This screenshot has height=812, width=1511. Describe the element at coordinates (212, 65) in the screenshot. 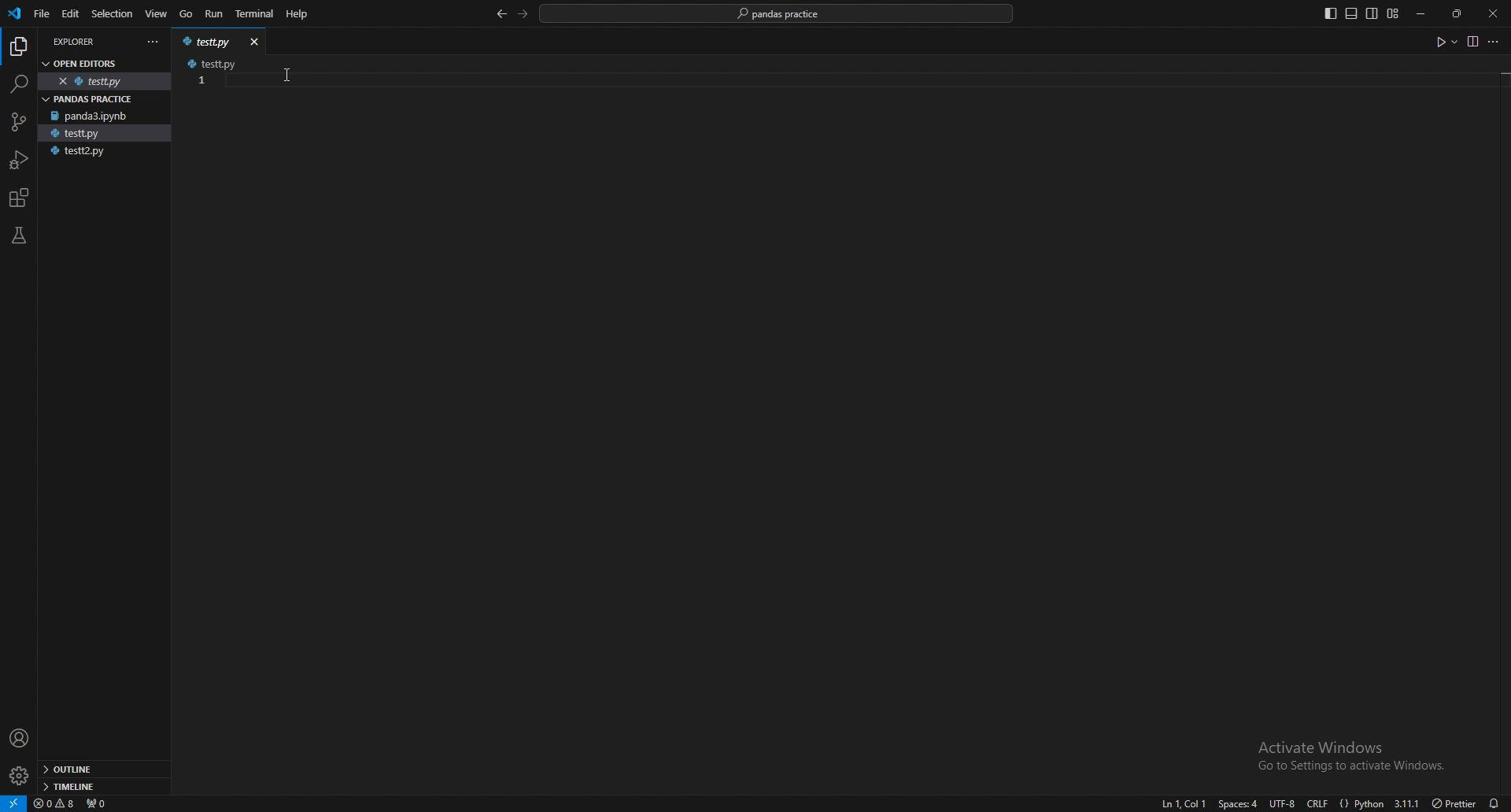

I see `testt.py` at that location.